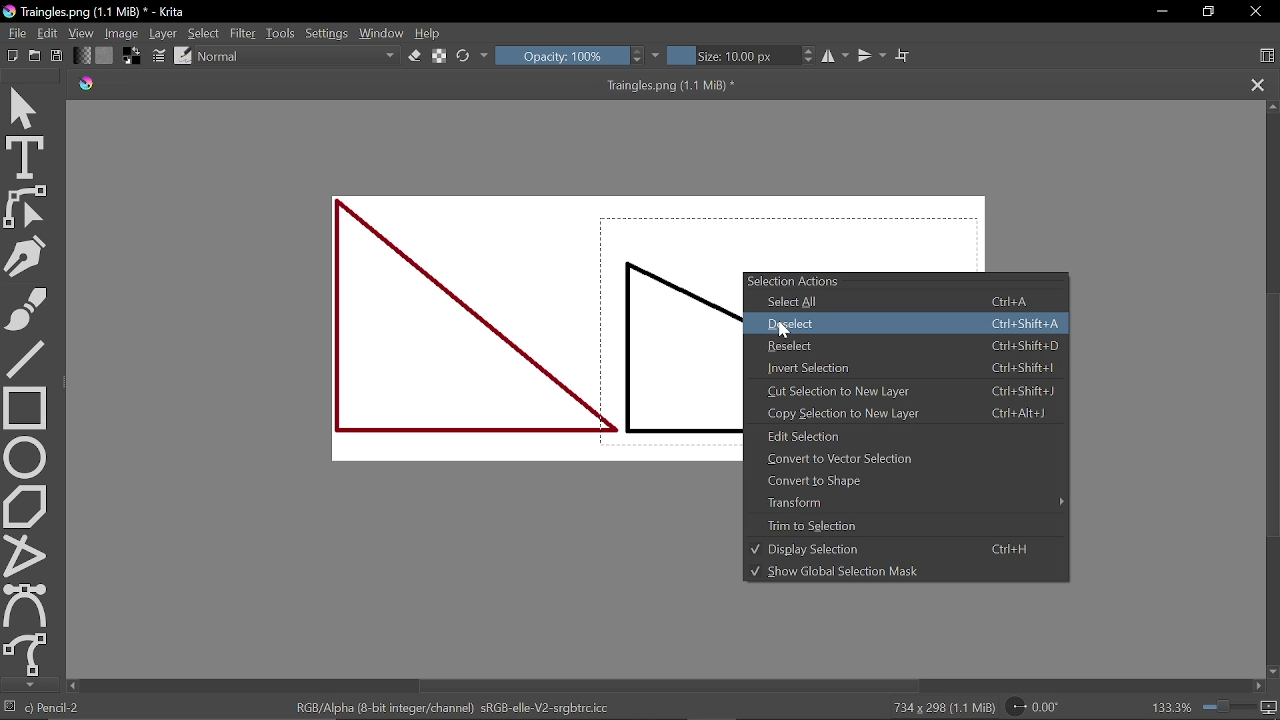 Image resolution: width=1280 pixels, height=720 pixels. I want to click on Move up, so click(1272, 106).